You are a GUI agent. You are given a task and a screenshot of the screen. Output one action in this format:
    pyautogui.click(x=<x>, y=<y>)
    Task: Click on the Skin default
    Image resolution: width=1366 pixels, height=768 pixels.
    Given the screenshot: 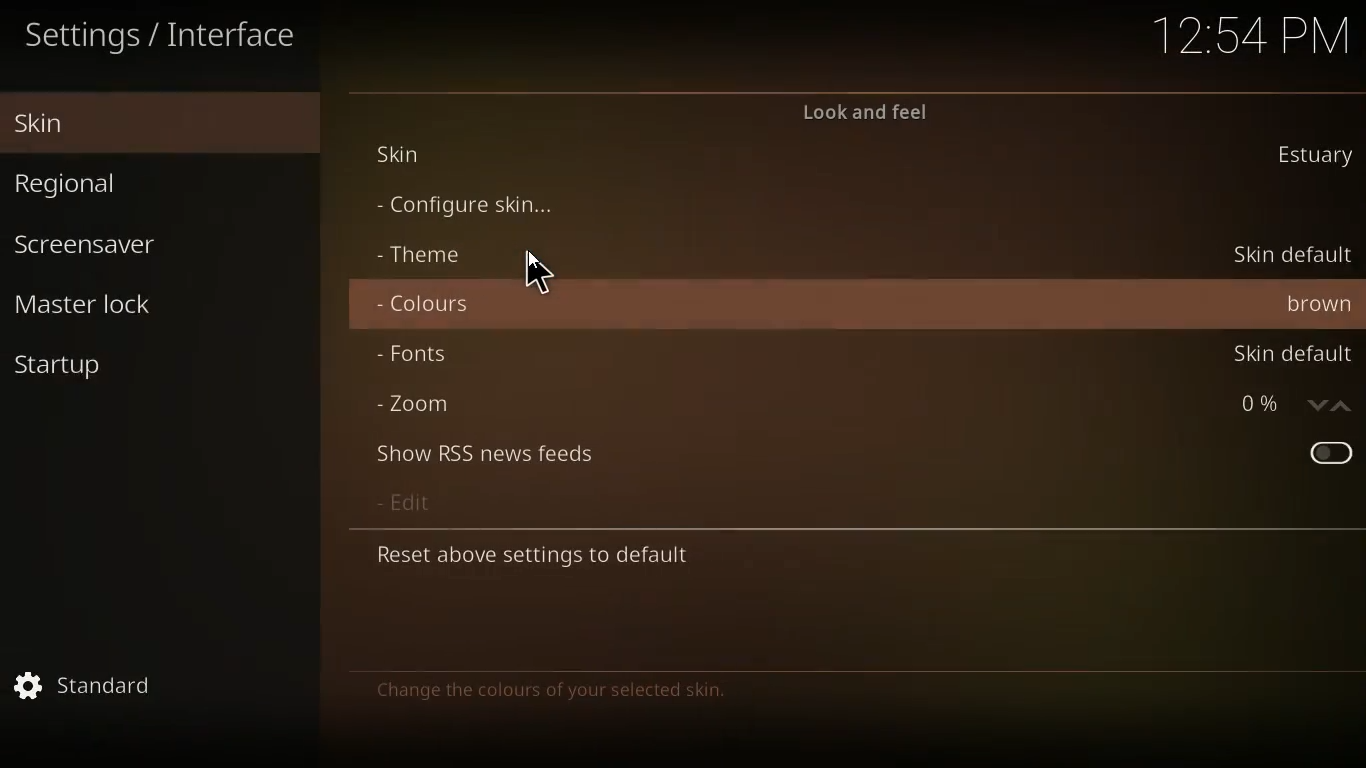 What is the action you would take?
    pyautogui.click(x=1296, y=357)
    